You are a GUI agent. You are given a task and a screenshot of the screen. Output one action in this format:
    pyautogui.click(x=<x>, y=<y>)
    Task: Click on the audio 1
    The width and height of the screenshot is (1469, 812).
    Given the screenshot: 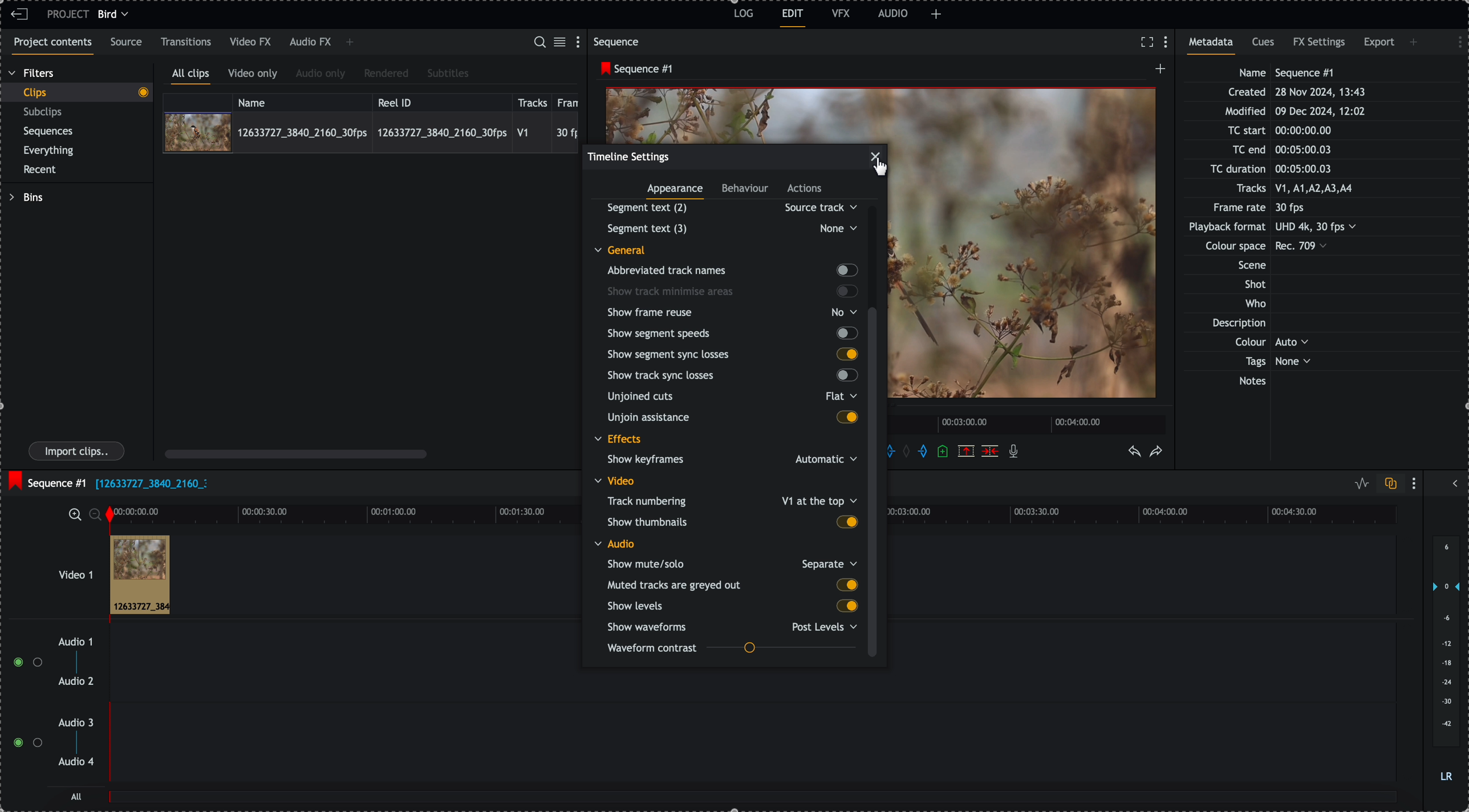 What is the action you would take?
    pyautogui.click(x=71, y=643)
    